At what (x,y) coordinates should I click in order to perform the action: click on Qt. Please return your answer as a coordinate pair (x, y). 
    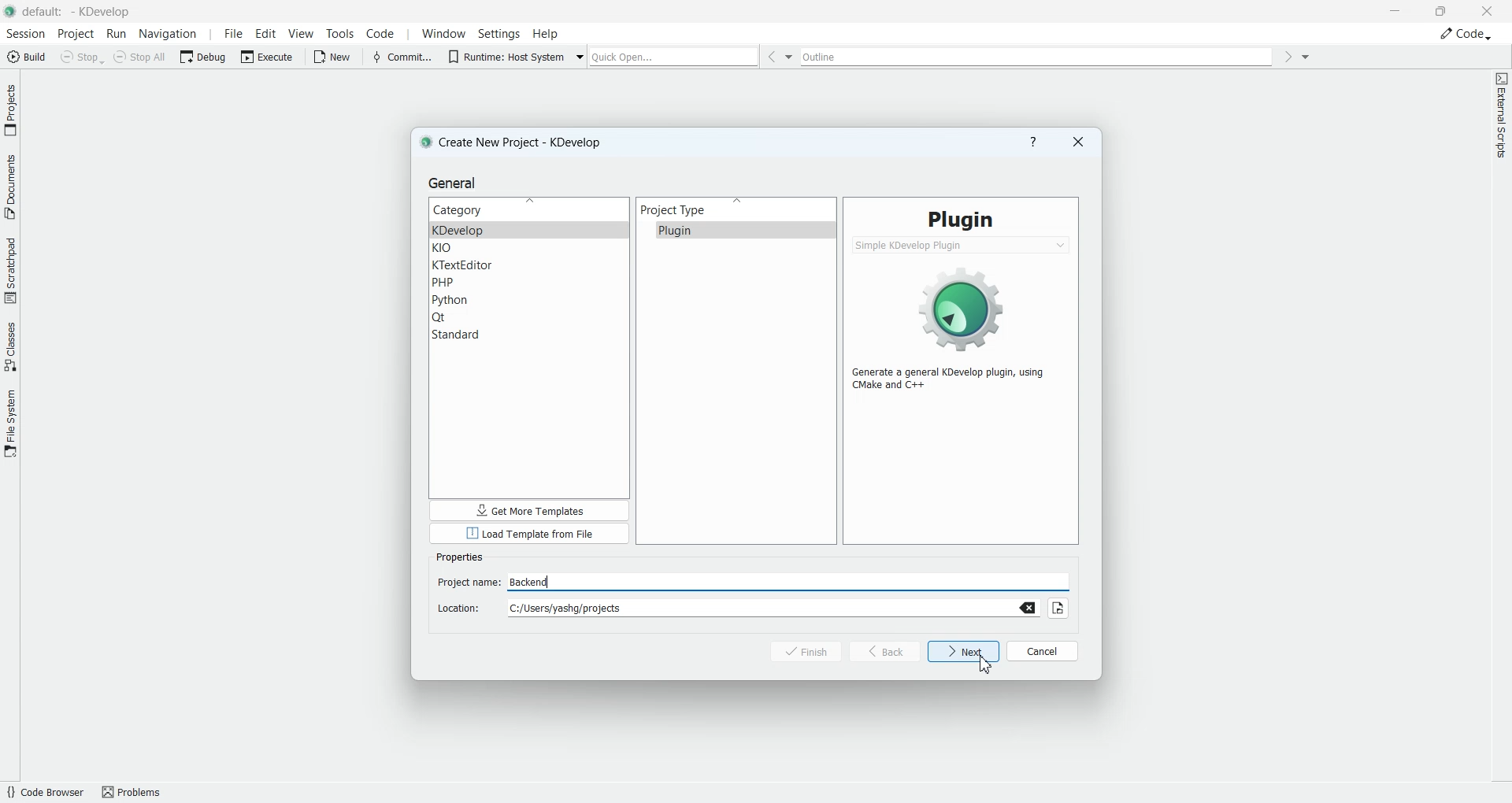
    Looking at the image, I should click on (530, 317).